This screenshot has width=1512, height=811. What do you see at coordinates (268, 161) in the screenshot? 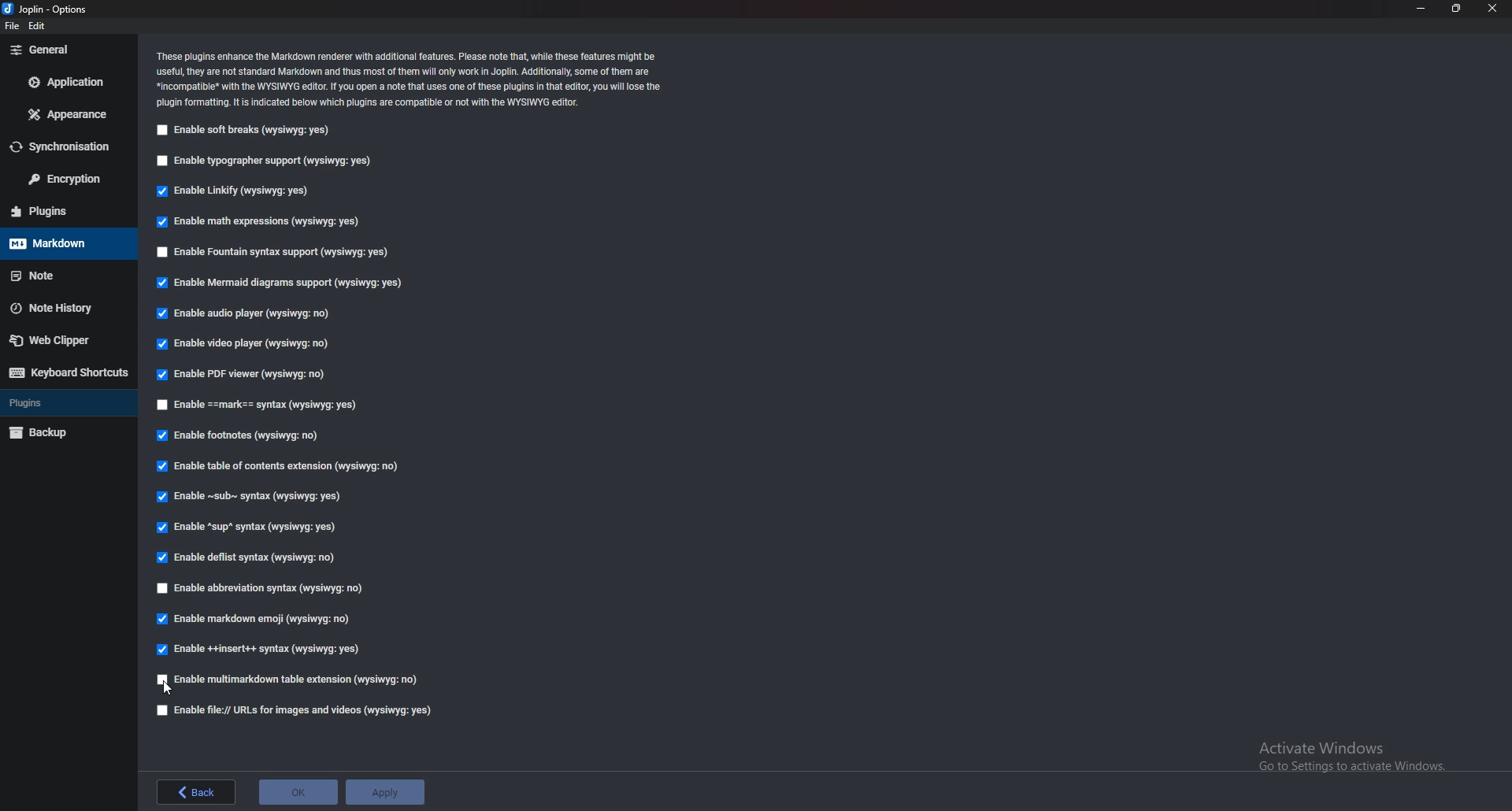
I see `Enable typographer support` at bounding box center [268, 161].